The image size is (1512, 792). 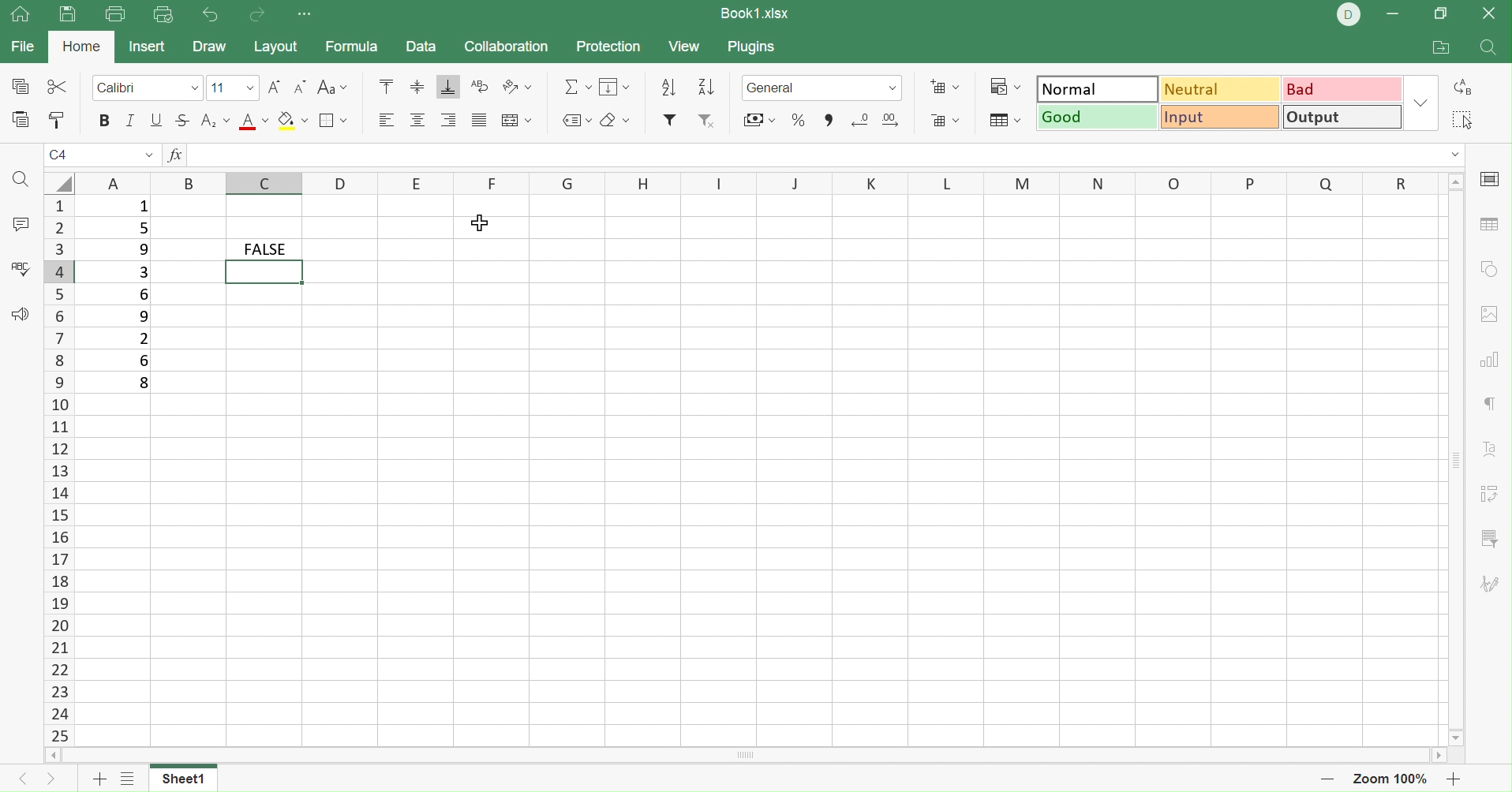 What do you see at coordinates (507, 46) in the screenshot?
I see `Collaboration` at bounding box center [507, 46].